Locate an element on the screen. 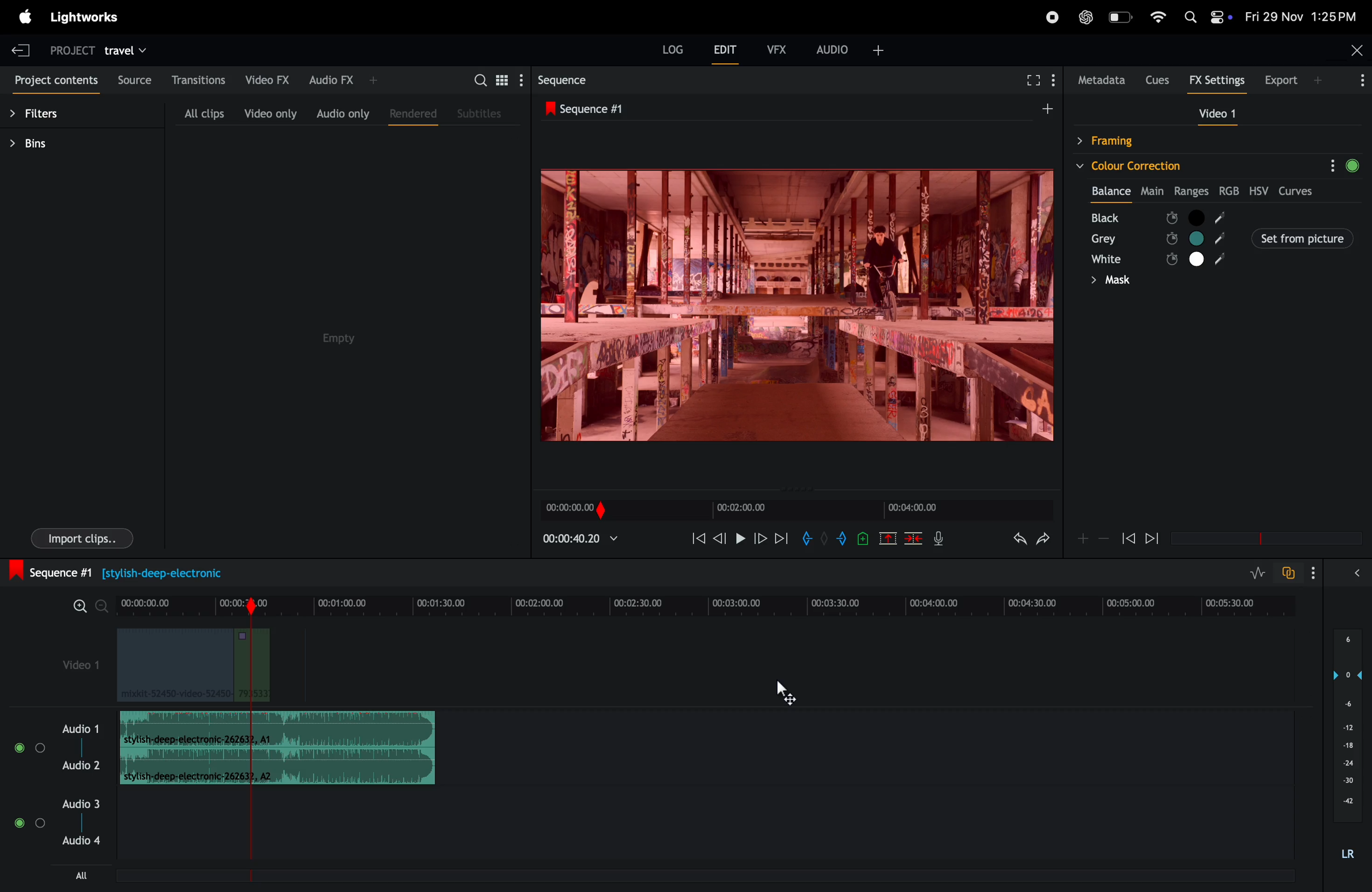 The height and width of the screenshot is (892, 1372). exit is located at coordinates (20, 47).